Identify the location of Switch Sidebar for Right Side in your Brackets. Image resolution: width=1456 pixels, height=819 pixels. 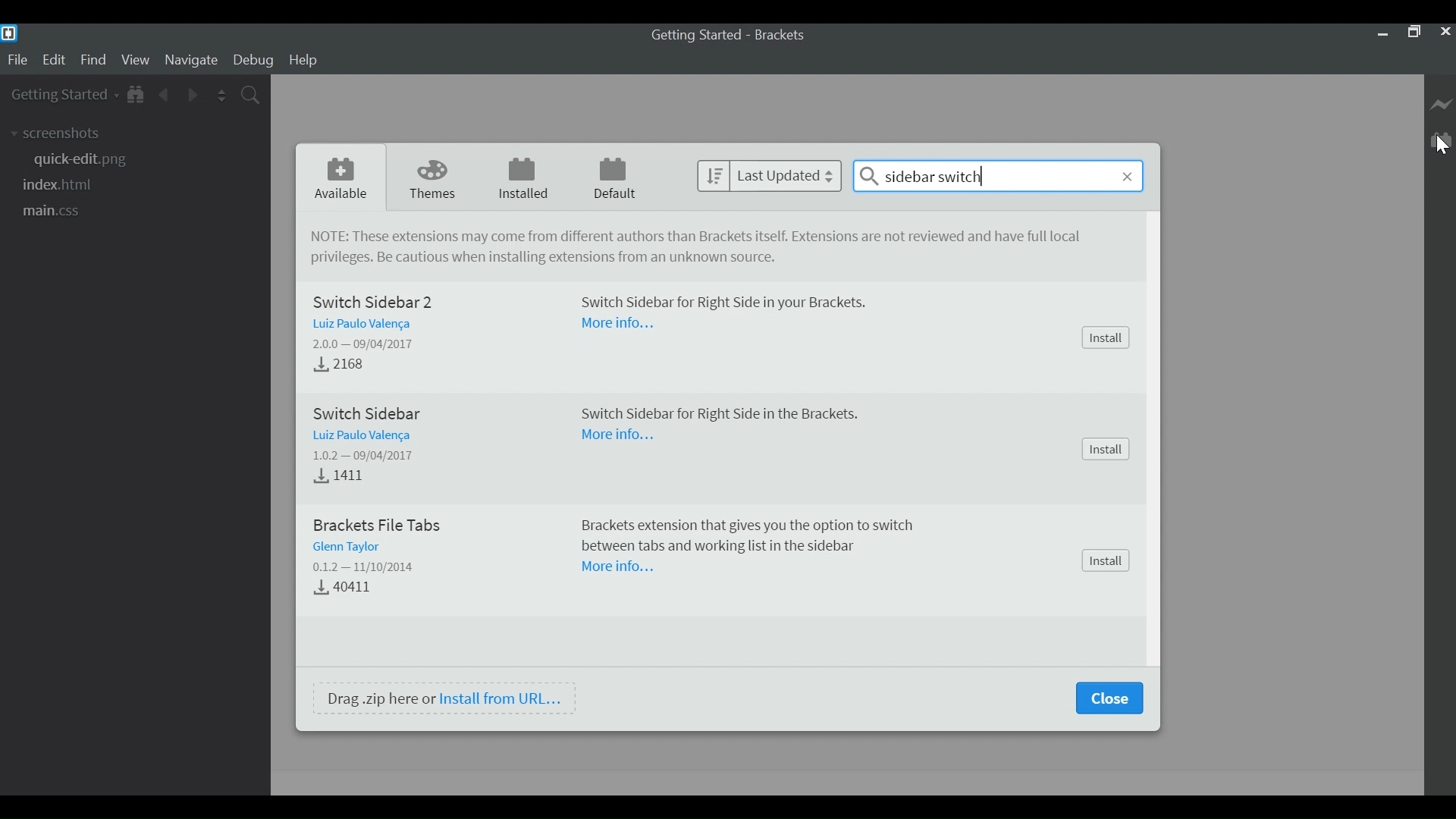
(732, 300).